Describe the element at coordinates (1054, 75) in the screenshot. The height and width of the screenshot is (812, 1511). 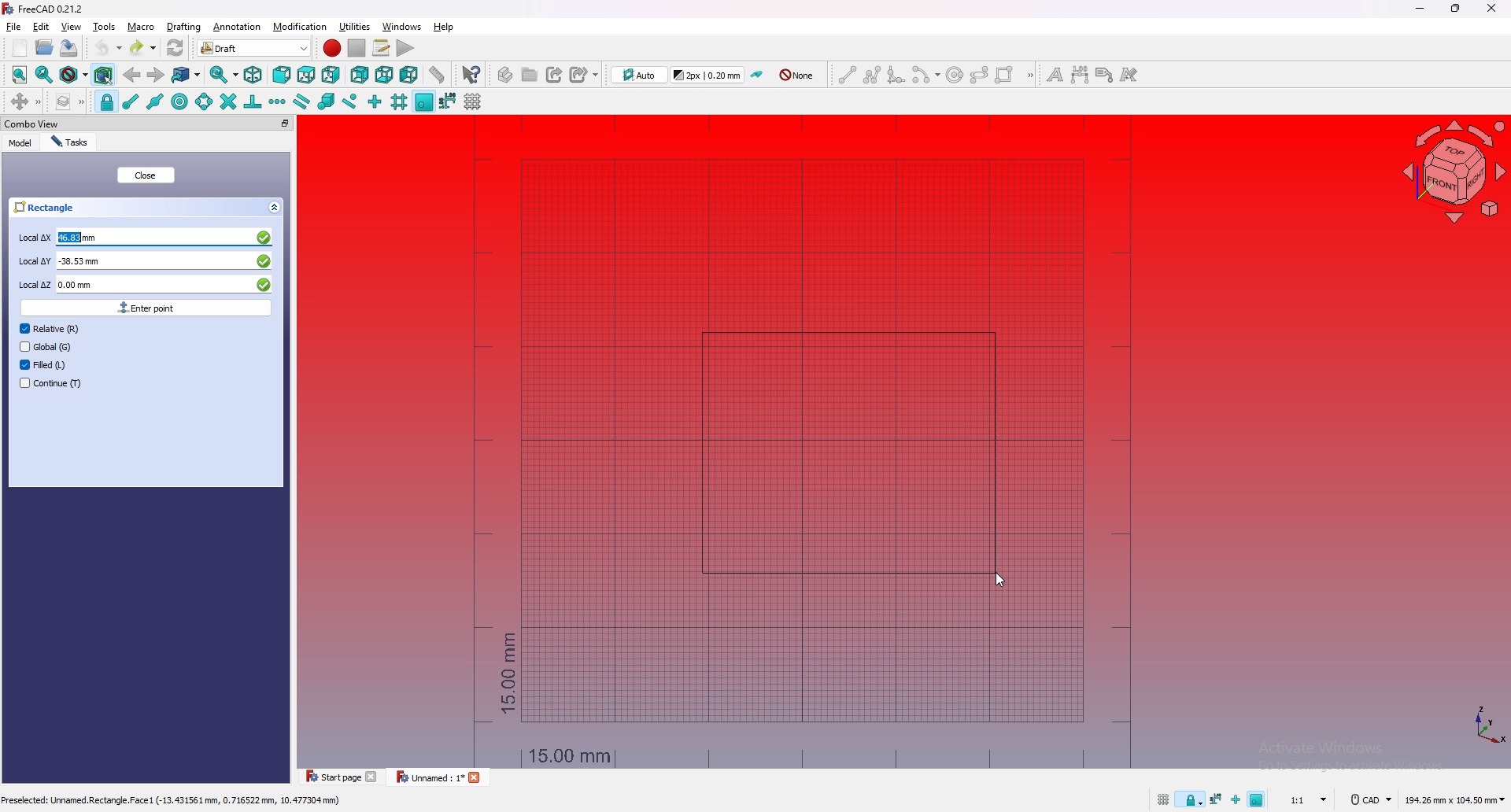
I see `text` at that location.